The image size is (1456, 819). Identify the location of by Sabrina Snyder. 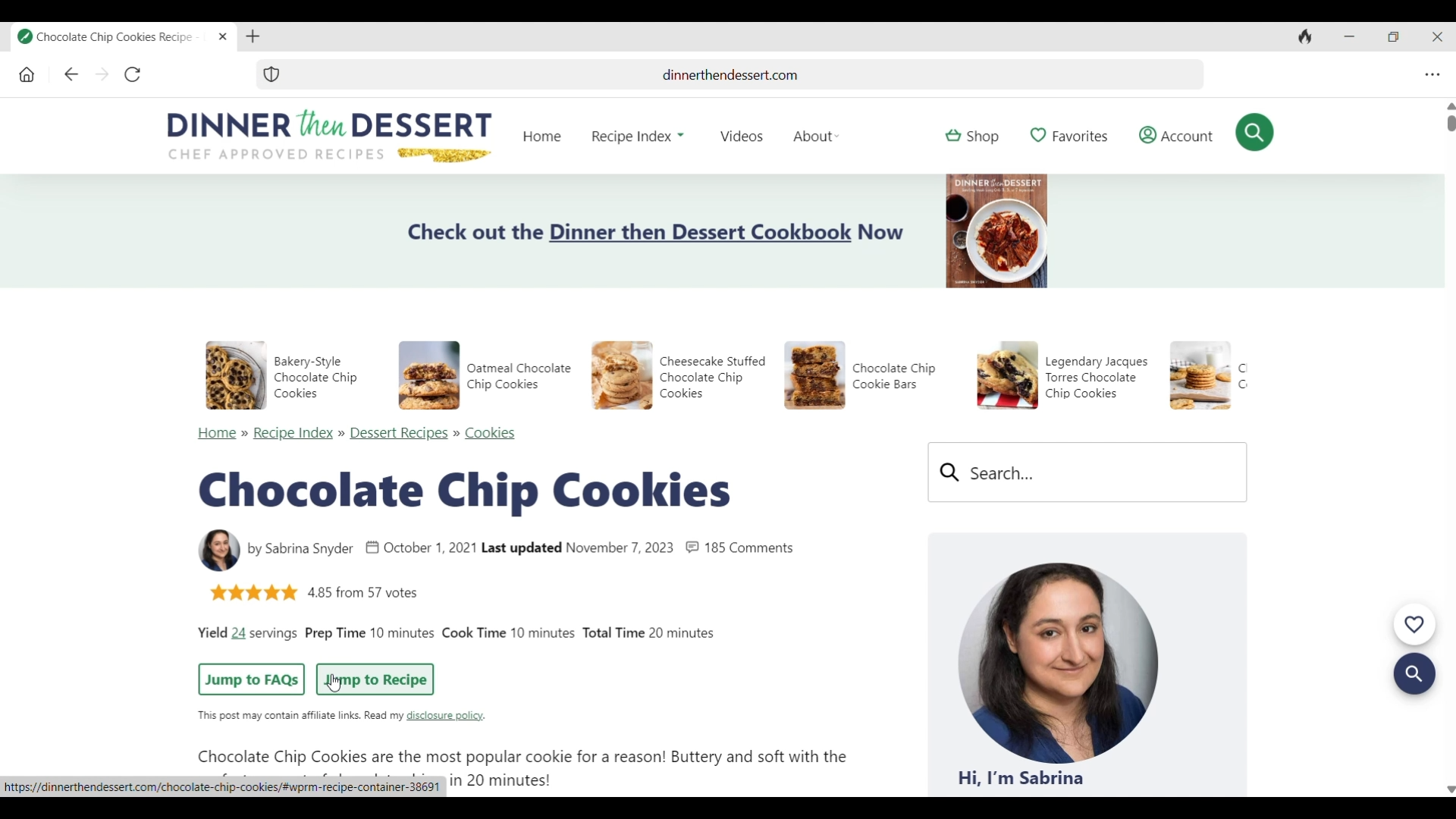
(300, 550).